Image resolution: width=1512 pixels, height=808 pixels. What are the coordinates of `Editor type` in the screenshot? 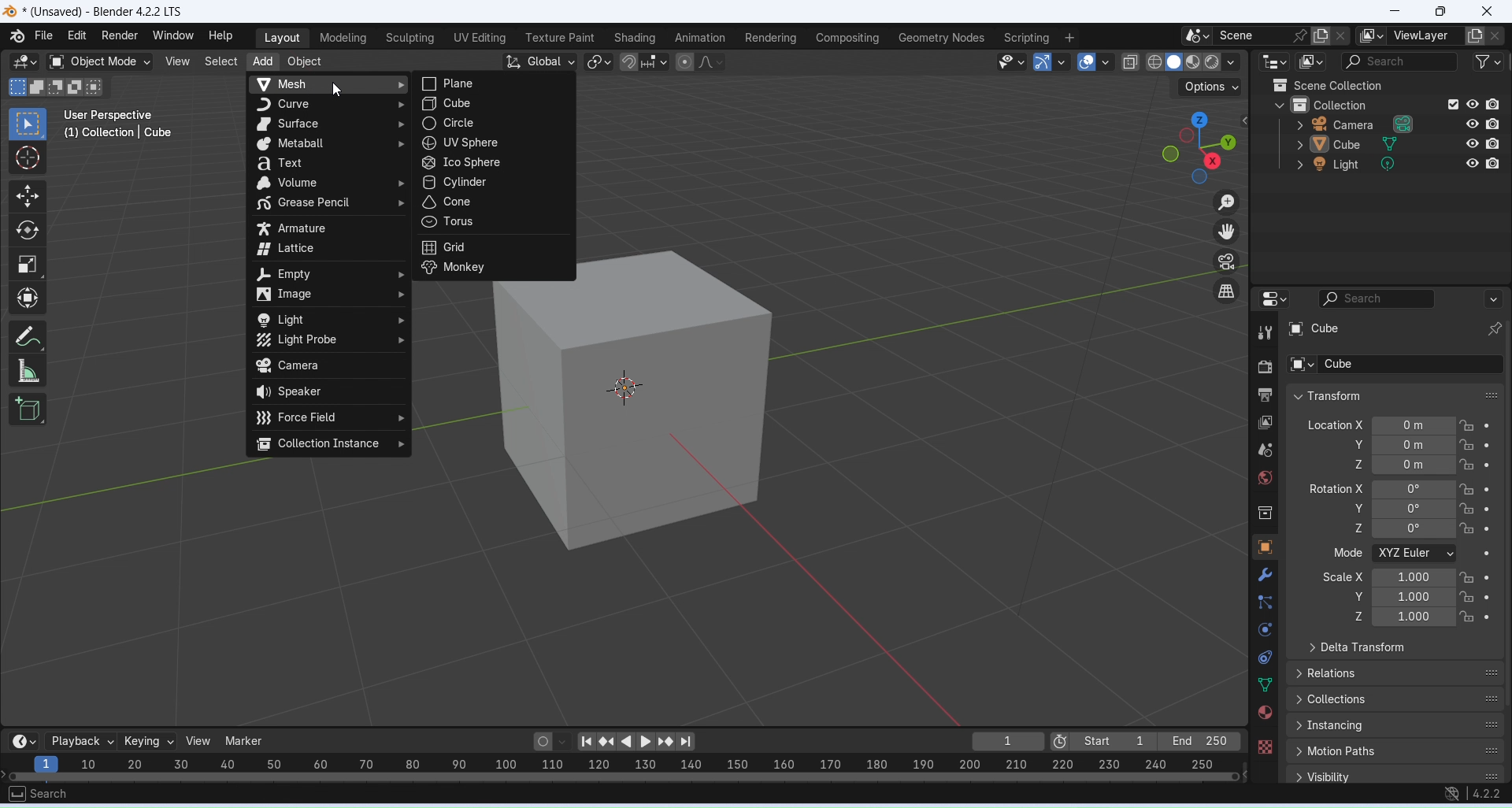 It's located at (22, 62).